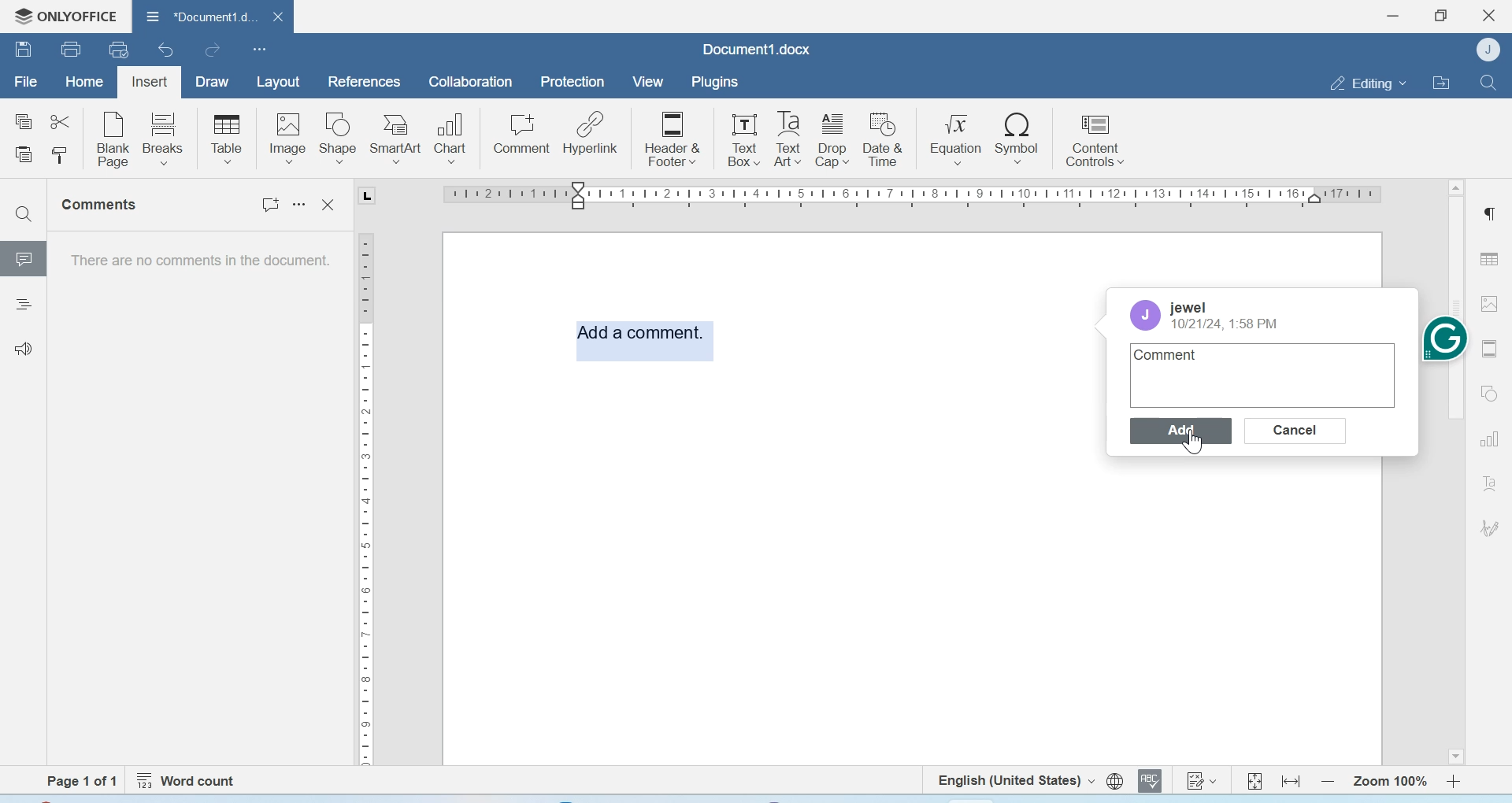 This screenshot has height=803, width=1512. What do you see at coordinates (61, 17) in the screenshot?
I see `Onlyoffice` at bounding box center [61, 17].